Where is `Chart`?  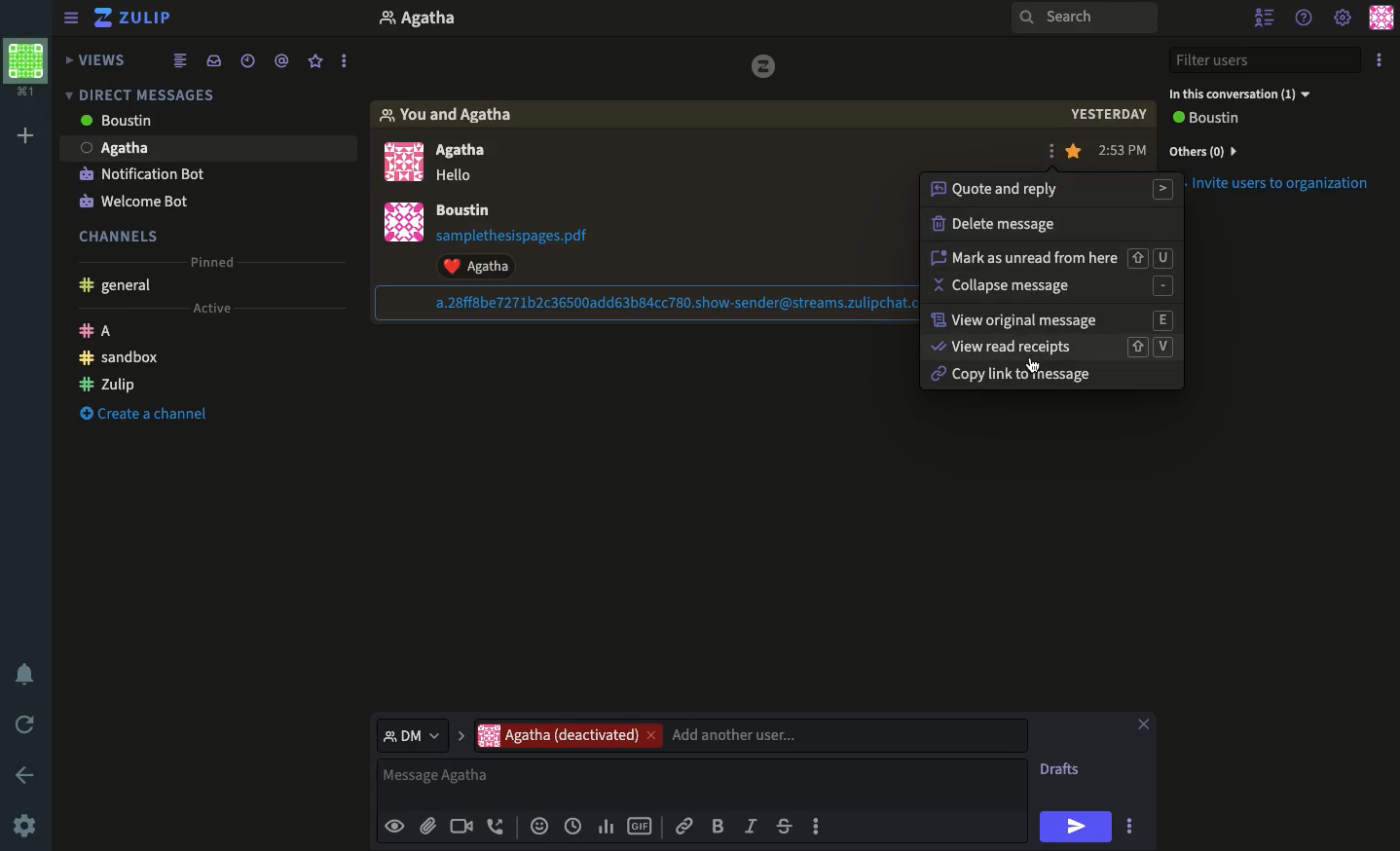
Chart is located at coordinates (607, 827).